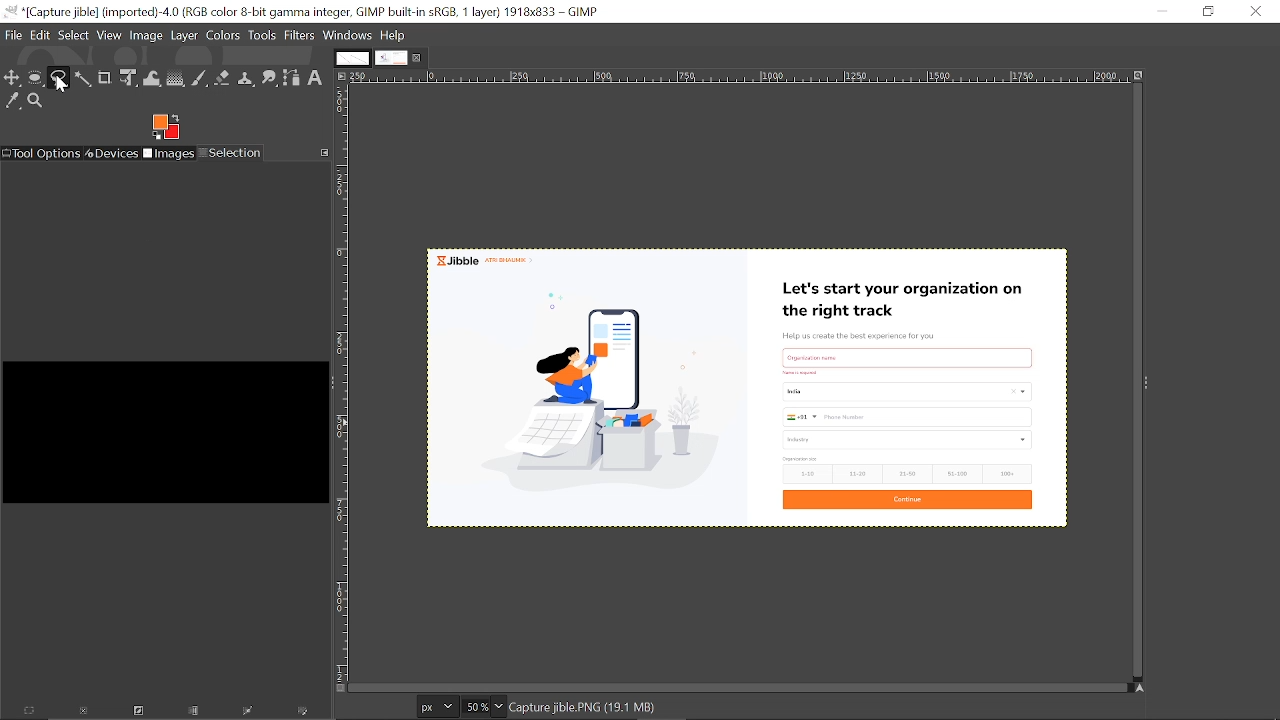  What do you see at coordinates (36, 79) in the screenshot?
I see `Ellipse select tool` at bounding box center [36, 79].